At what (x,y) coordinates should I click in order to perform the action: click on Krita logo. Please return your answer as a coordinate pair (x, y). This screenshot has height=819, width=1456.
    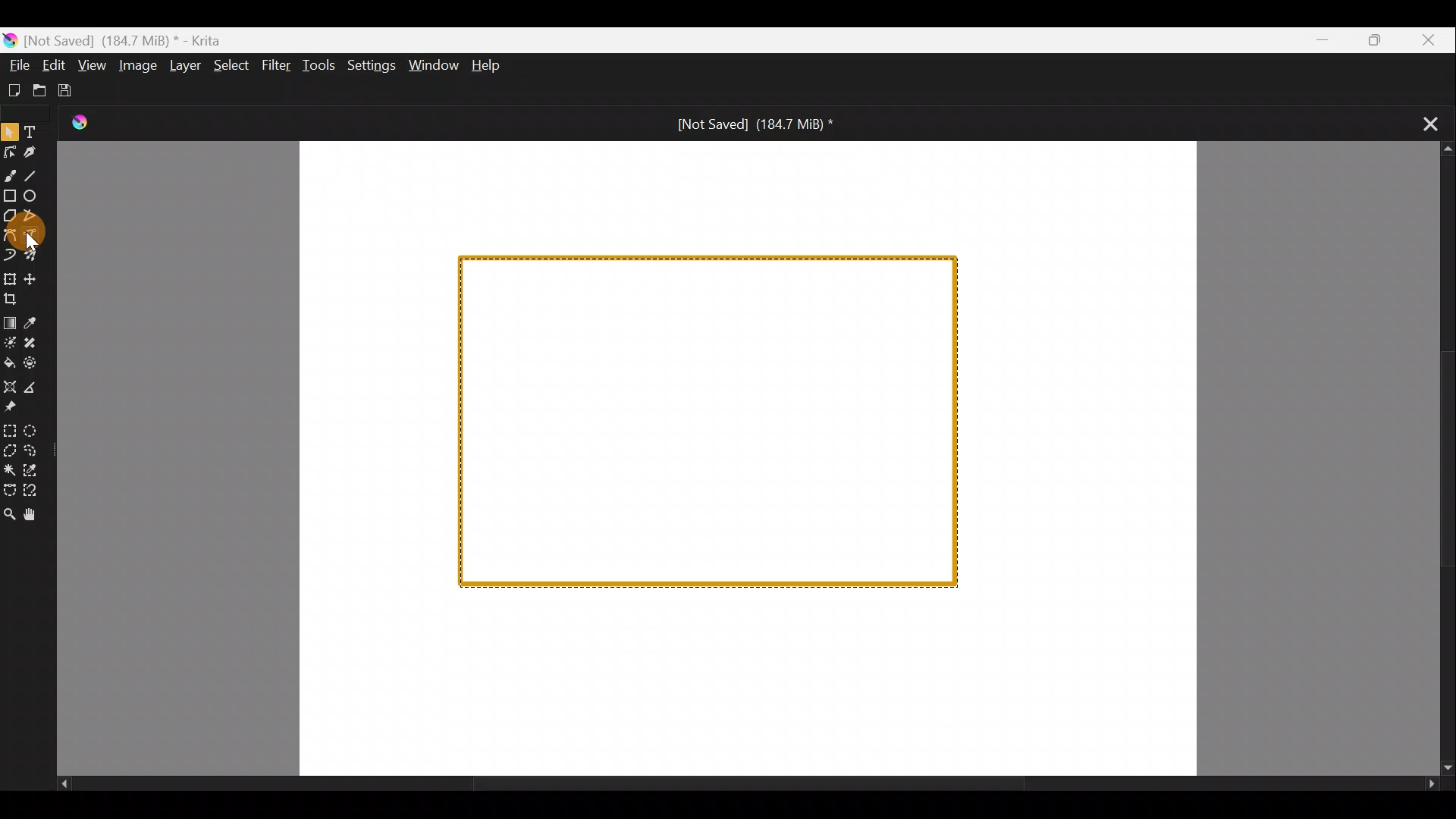
    Looking at the image, I should click on (9, 40).